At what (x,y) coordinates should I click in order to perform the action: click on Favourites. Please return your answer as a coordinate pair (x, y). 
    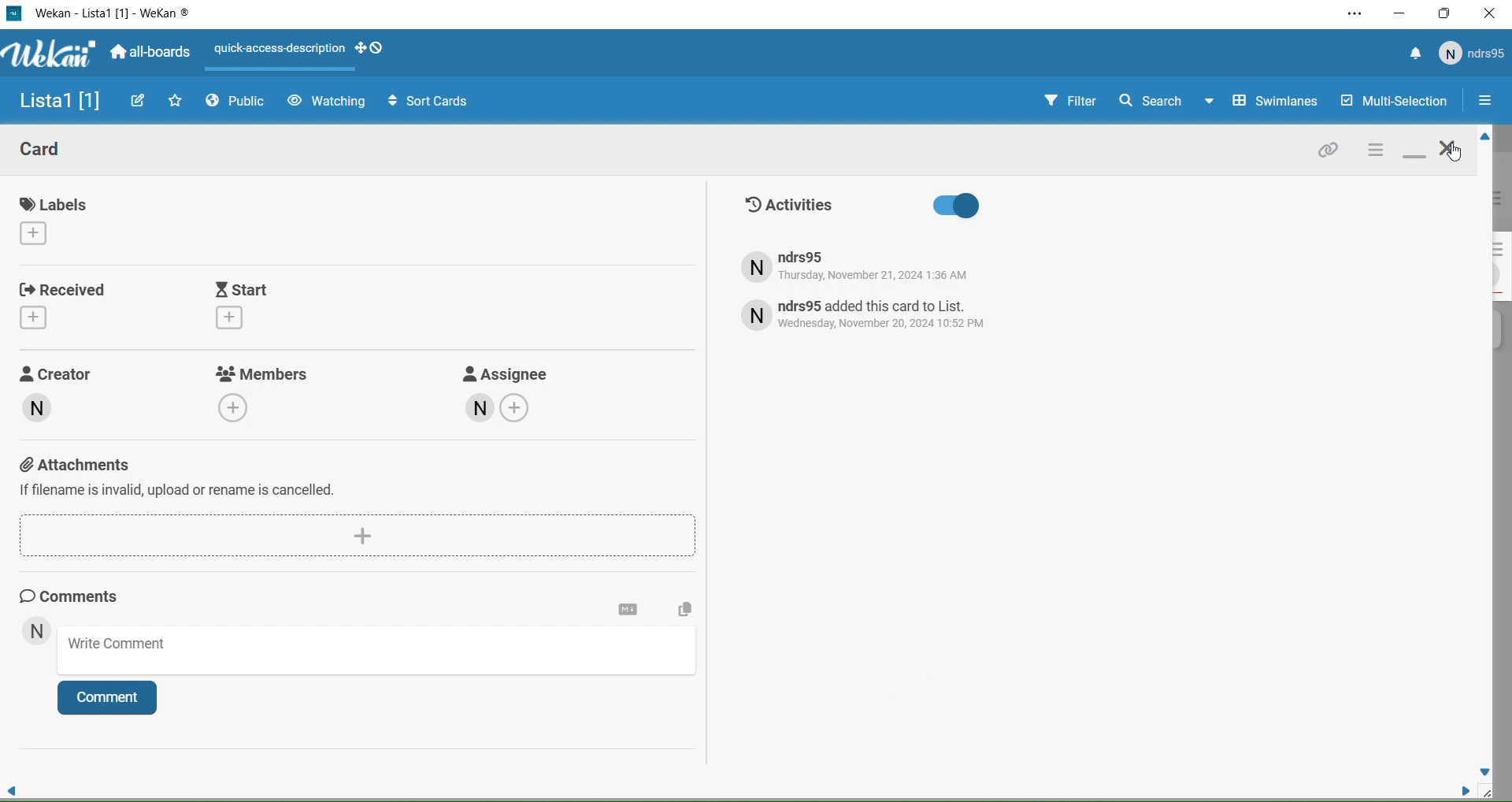
    Looking at the image, I should click on (176, 100).